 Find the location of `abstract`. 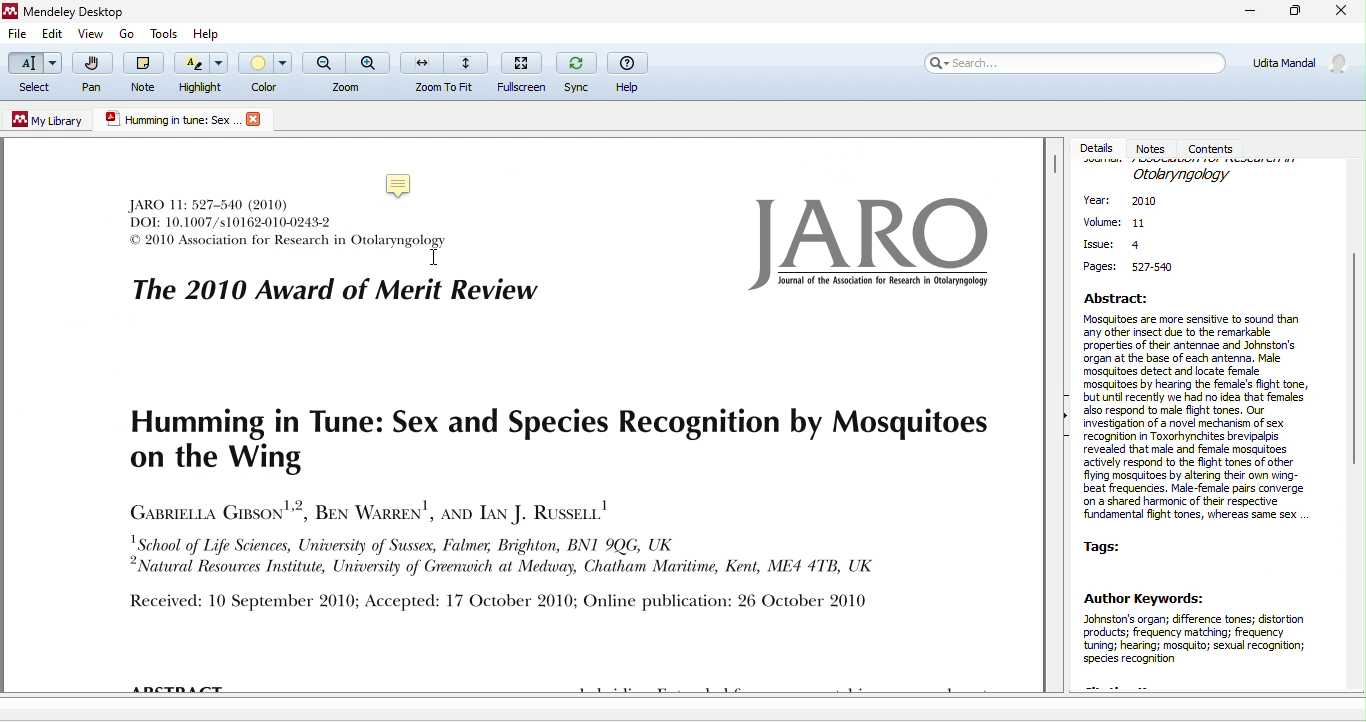

abstract is located at coordinates (1201, 408).